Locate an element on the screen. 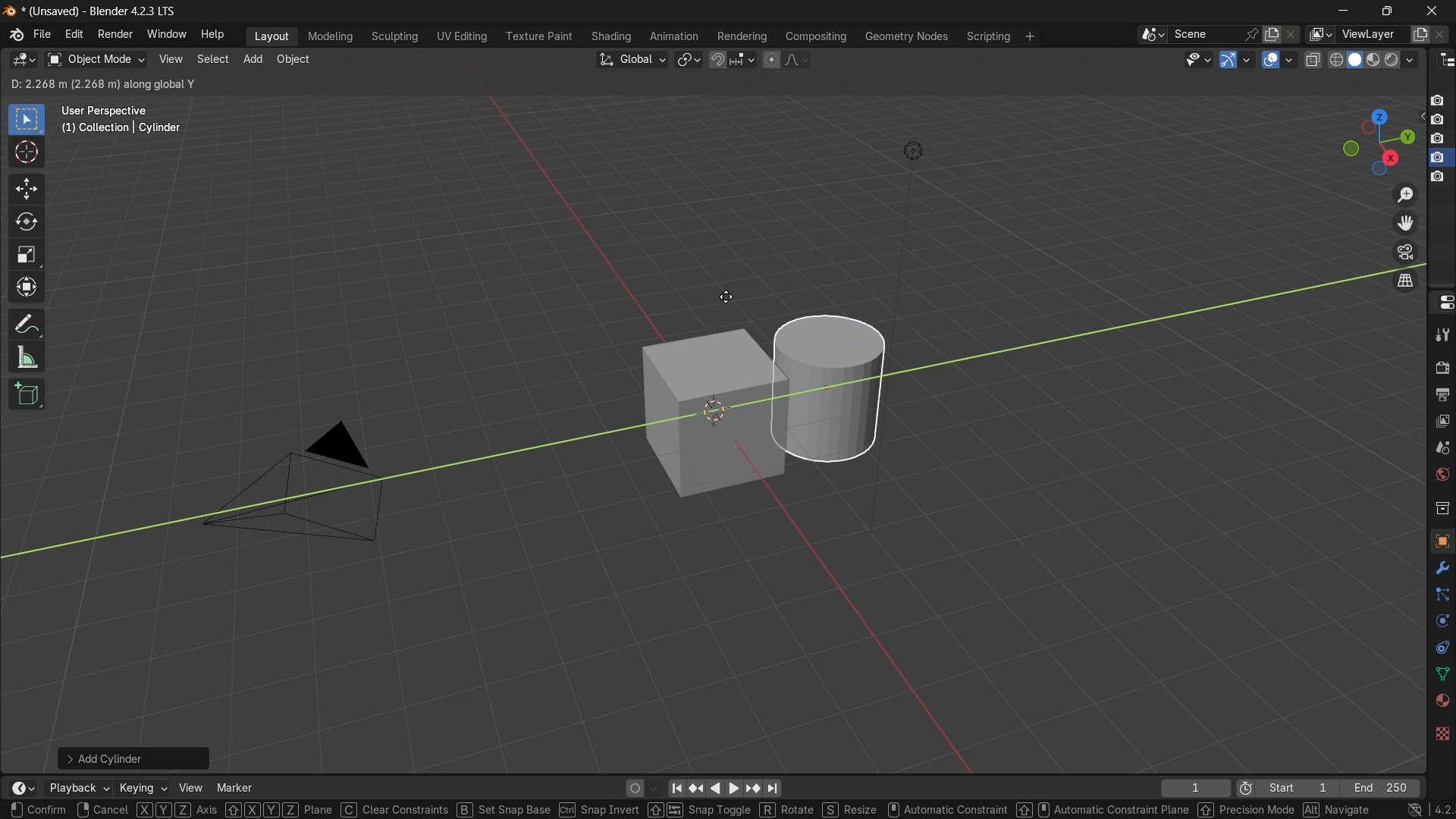  outliner is located at coordinates (1443, 60).